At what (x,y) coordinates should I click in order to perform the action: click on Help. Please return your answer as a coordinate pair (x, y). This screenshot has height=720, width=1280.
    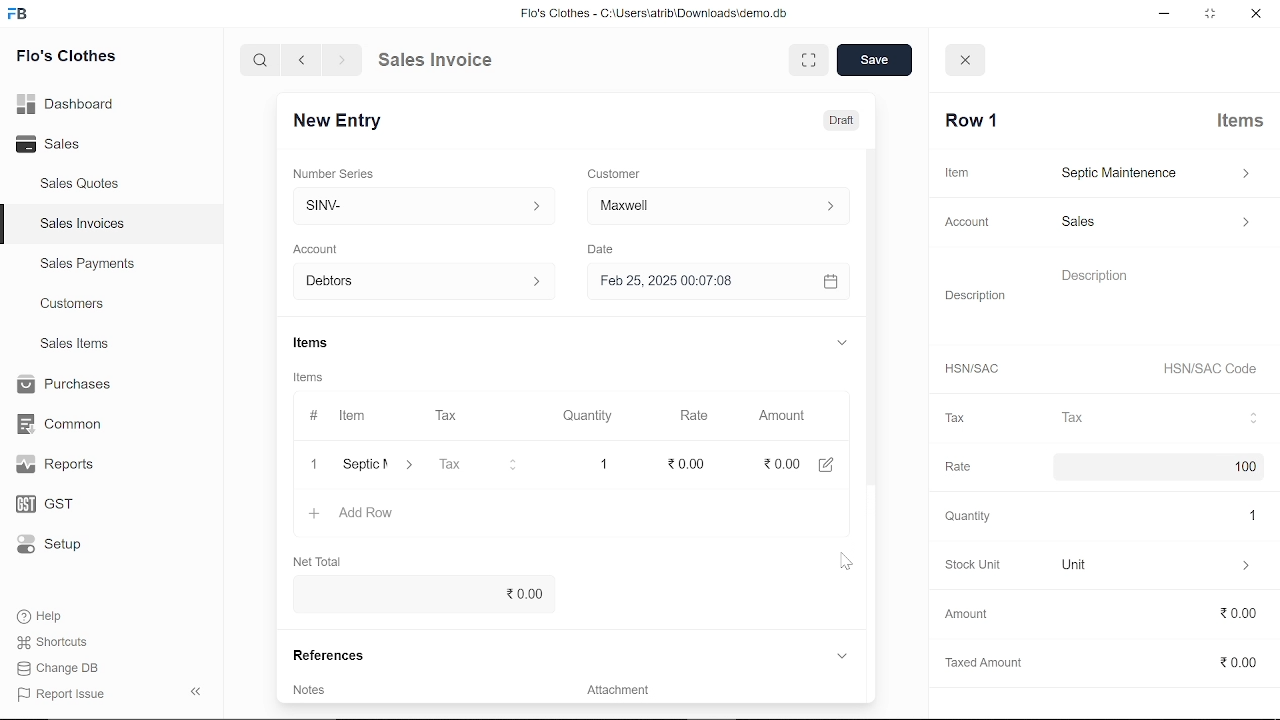
    Looking at the image, I should click on (42, 616).